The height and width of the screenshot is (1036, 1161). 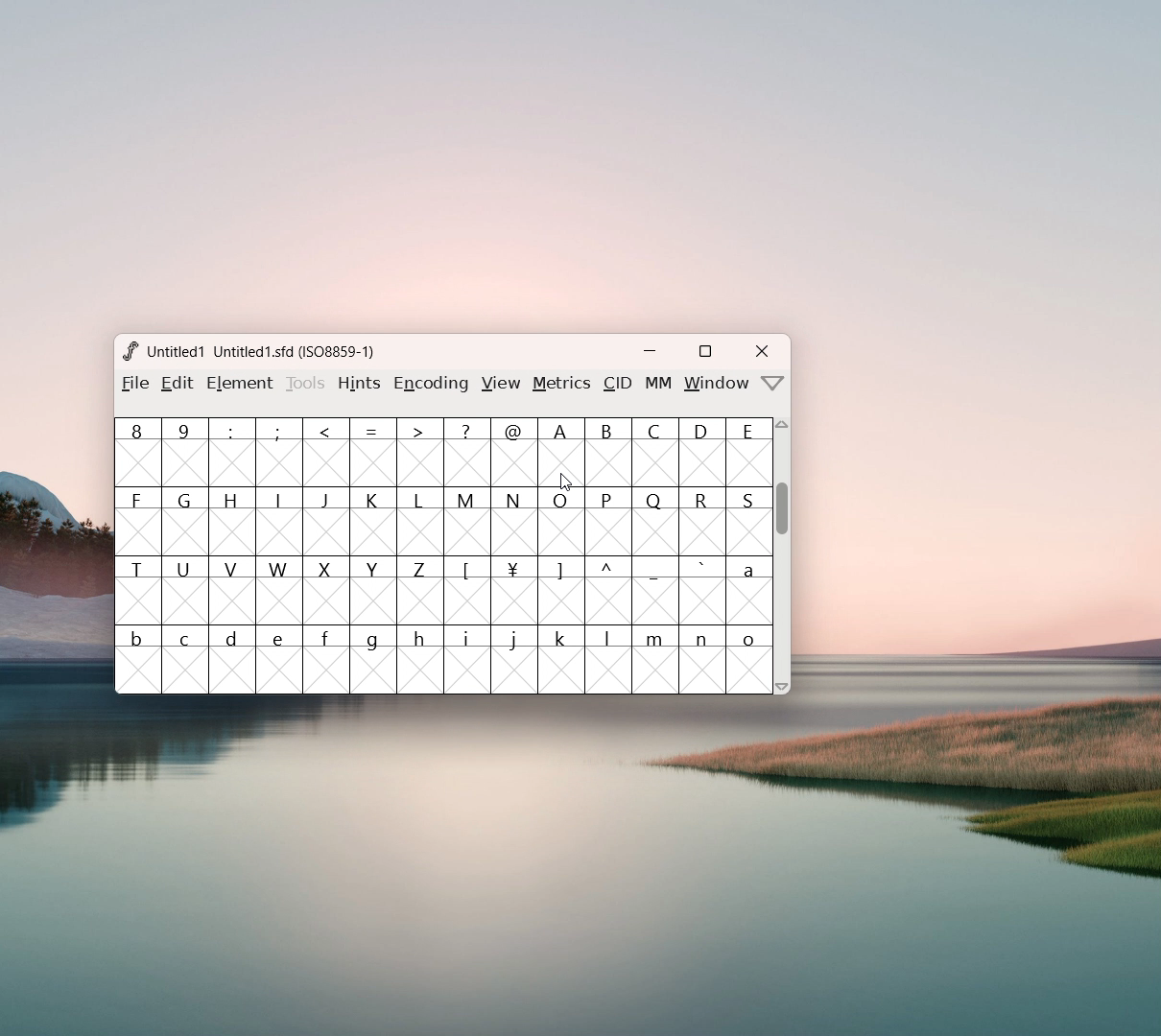 What do you see at coordinates (515, 522) in the screenshot?
I see `N` at bounding box center [515, 522].